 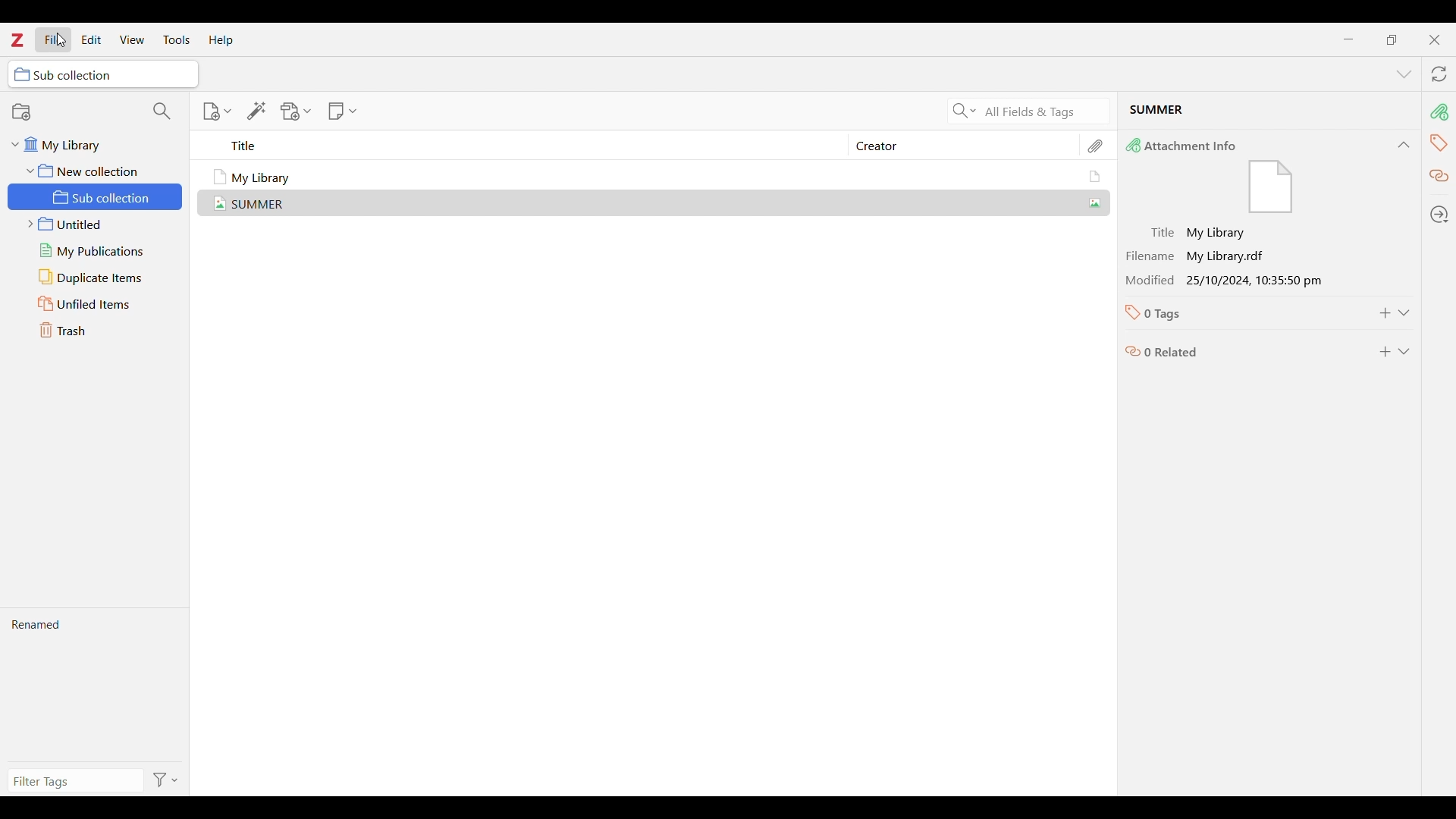 What do you see at coordinates (1439, 177) in the screenshot?
I see `Related` at bounding box center [1439, 177].